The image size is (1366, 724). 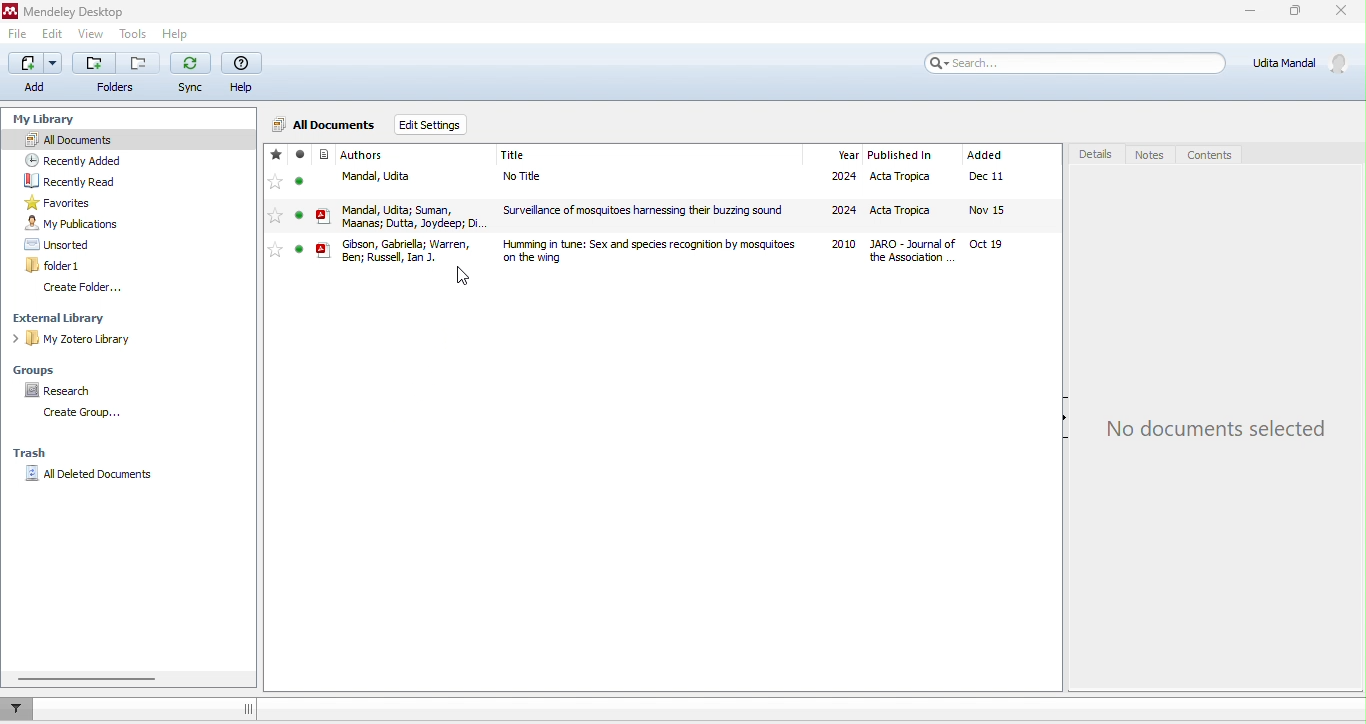 I want to click on tools, so click(x=134, y=36).